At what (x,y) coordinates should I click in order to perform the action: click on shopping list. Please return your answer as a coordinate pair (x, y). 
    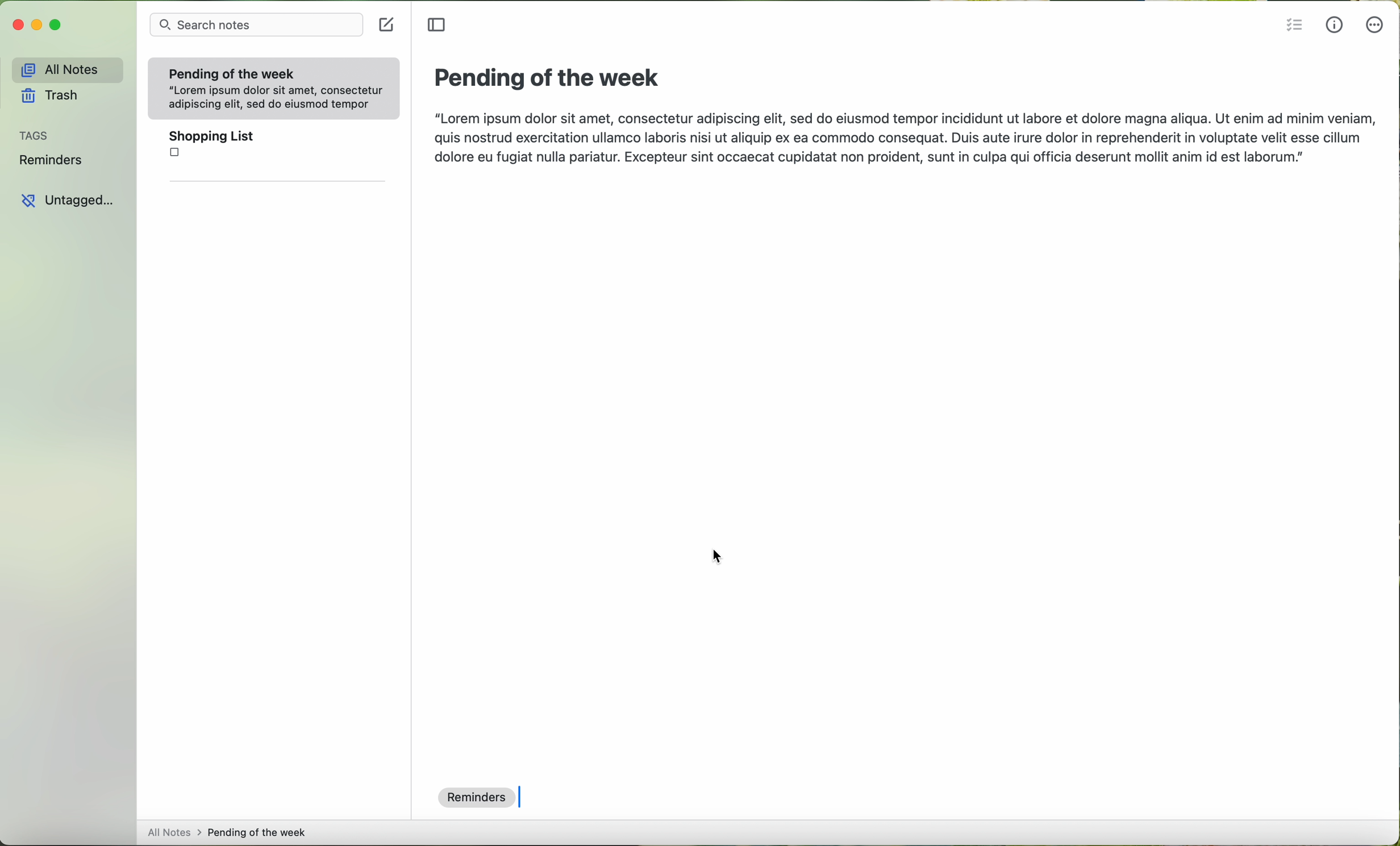
    Looking at the image, I should click on (274, 148).